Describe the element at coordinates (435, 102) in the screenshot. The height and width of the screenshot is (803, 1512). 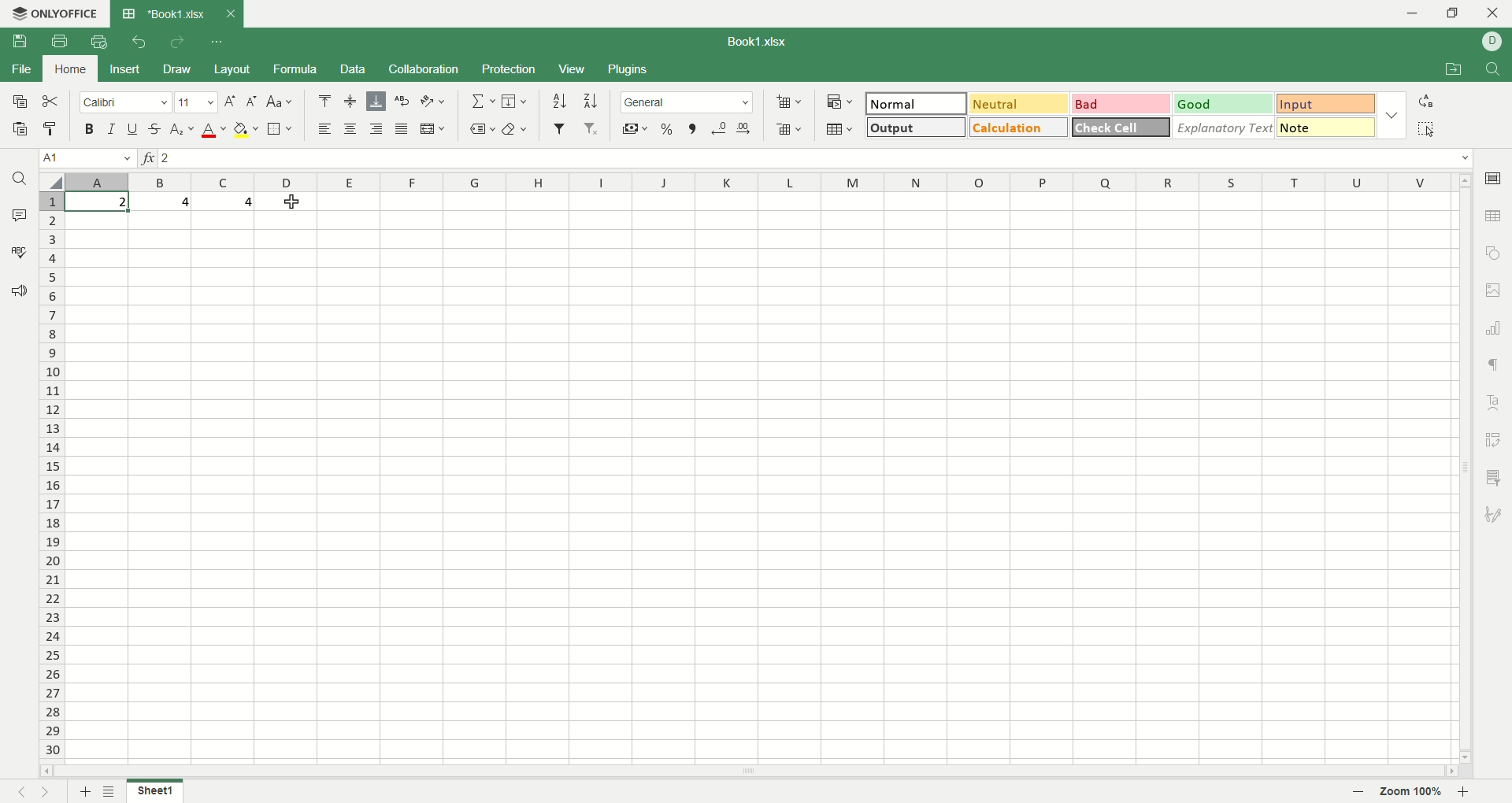
I see `orientation` at that location.